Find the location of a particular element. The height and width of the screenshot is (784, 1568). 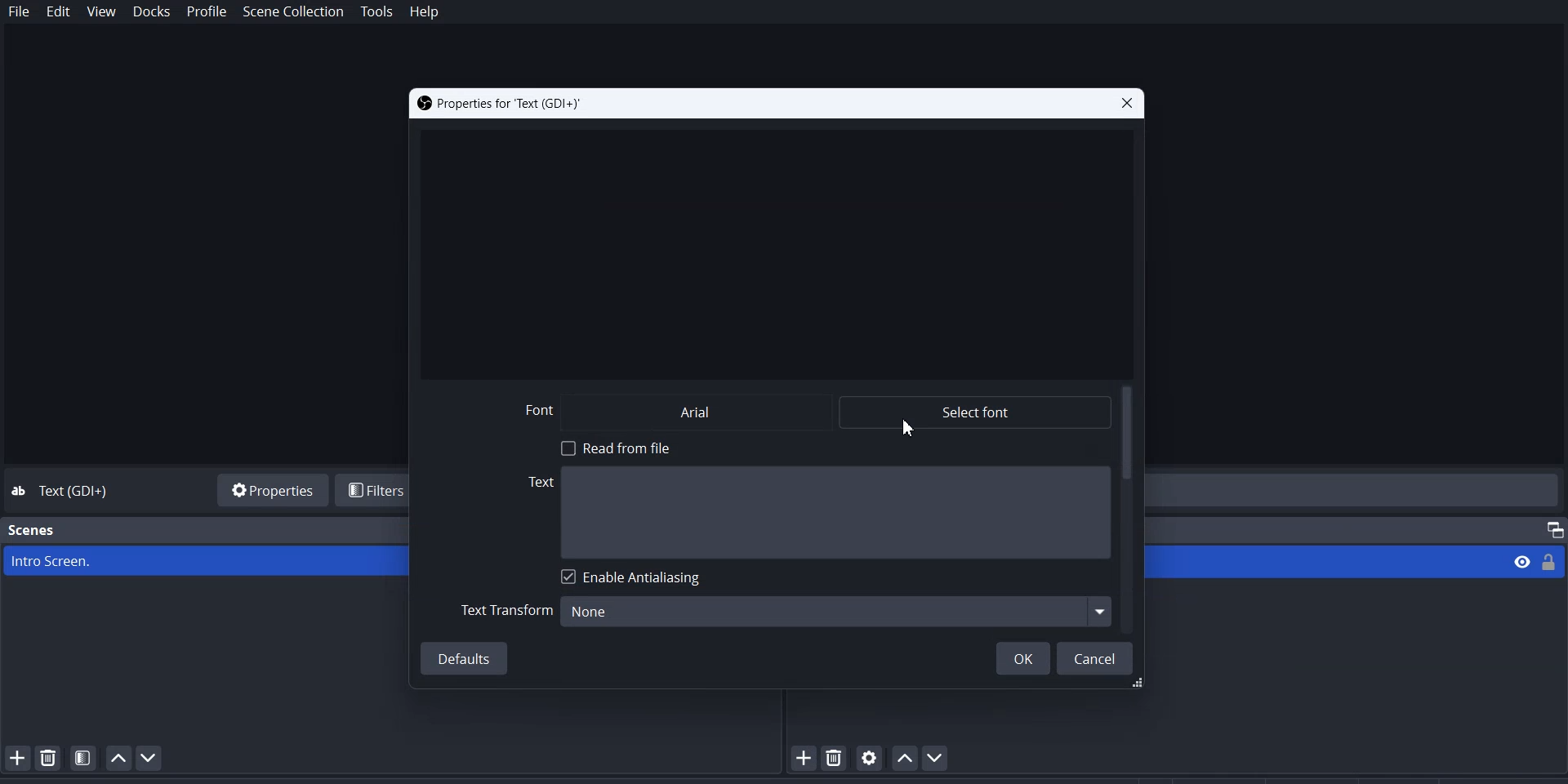

Scenes is located at coordinates (37, 528).